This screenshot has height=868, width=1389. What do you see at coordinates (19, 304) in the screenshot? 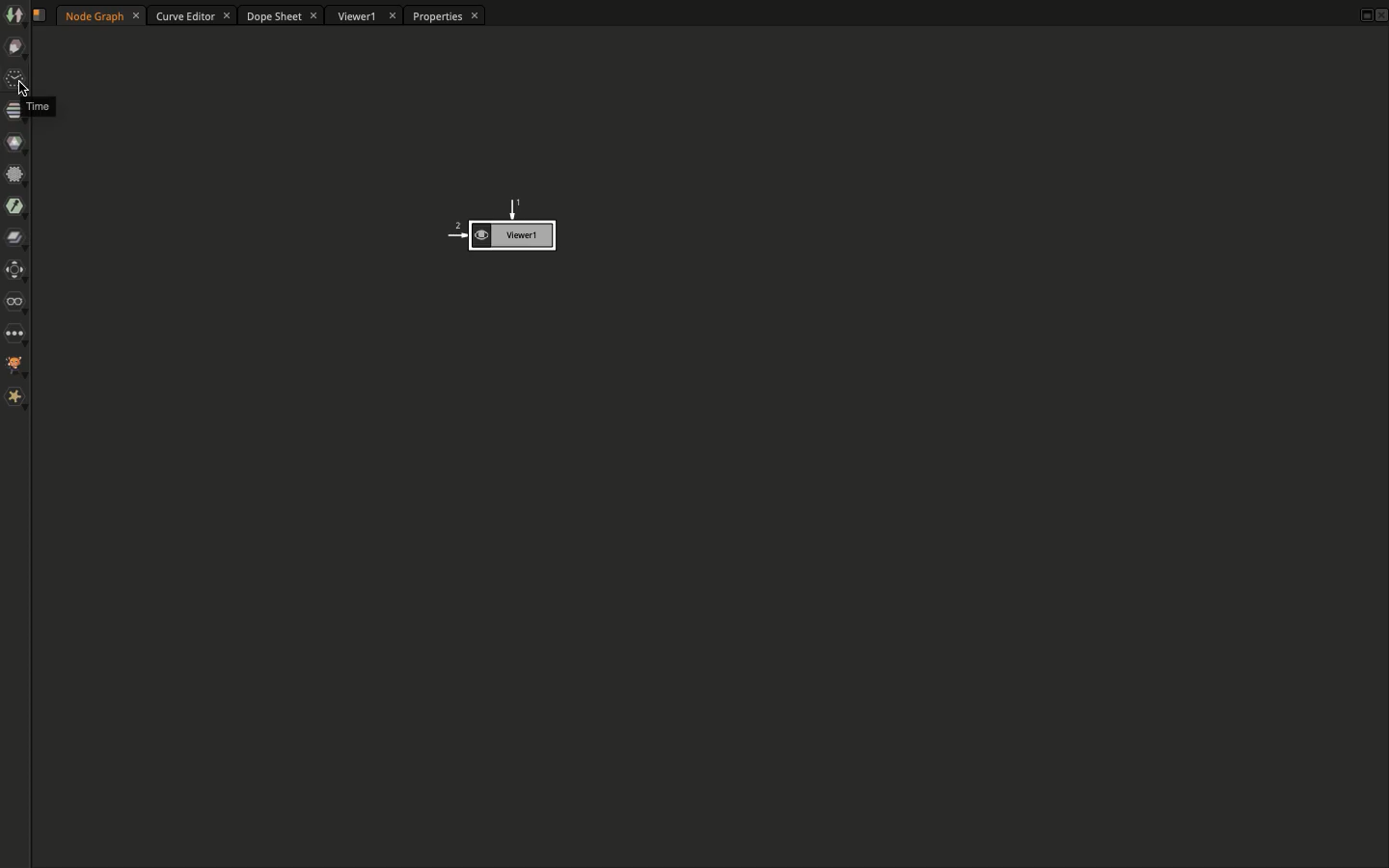
I see `Views` at bounding box center [19, 304].